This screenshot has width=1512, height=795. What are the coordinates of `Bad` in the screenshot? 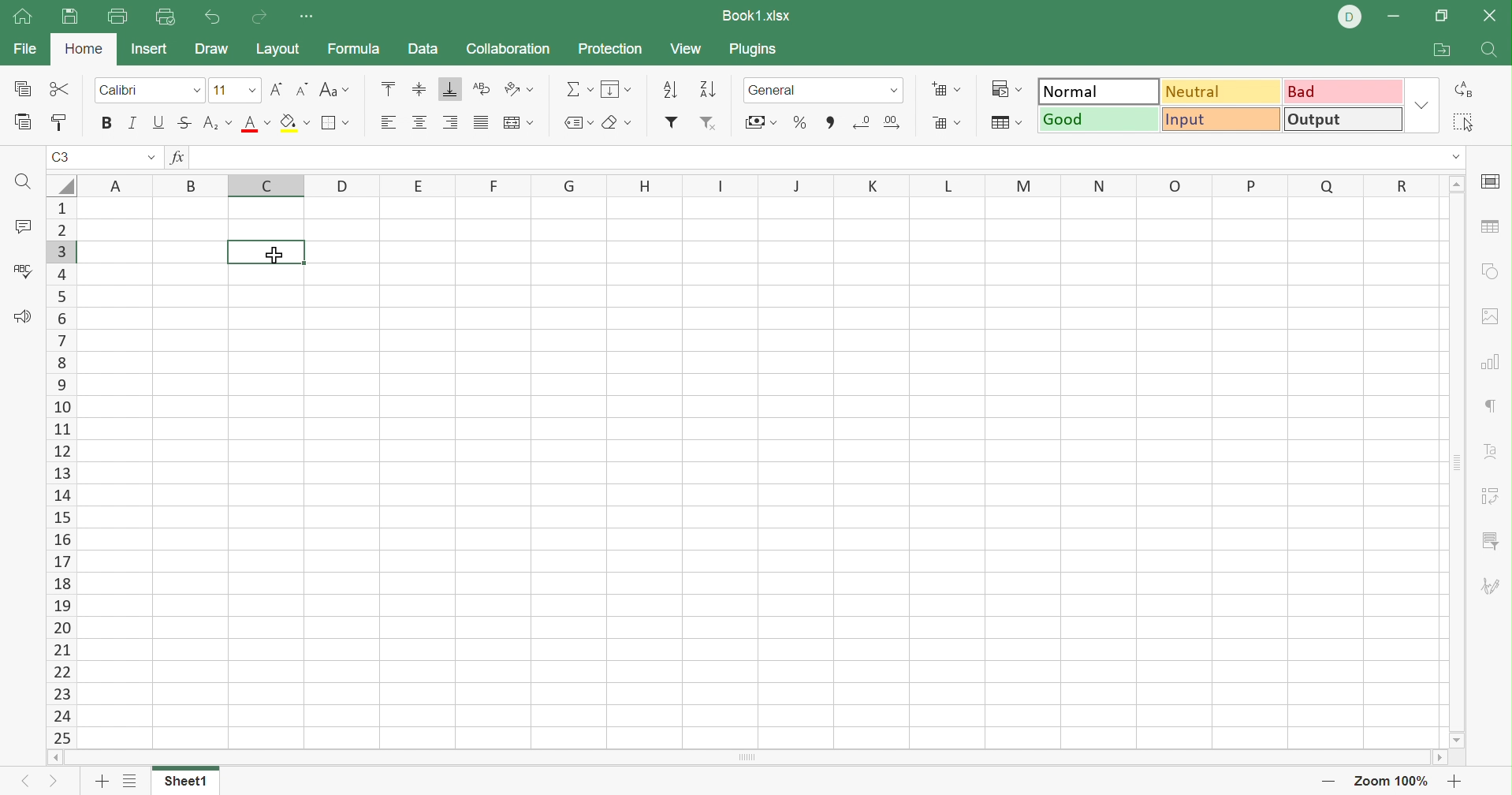 It's located at (1344, 93).